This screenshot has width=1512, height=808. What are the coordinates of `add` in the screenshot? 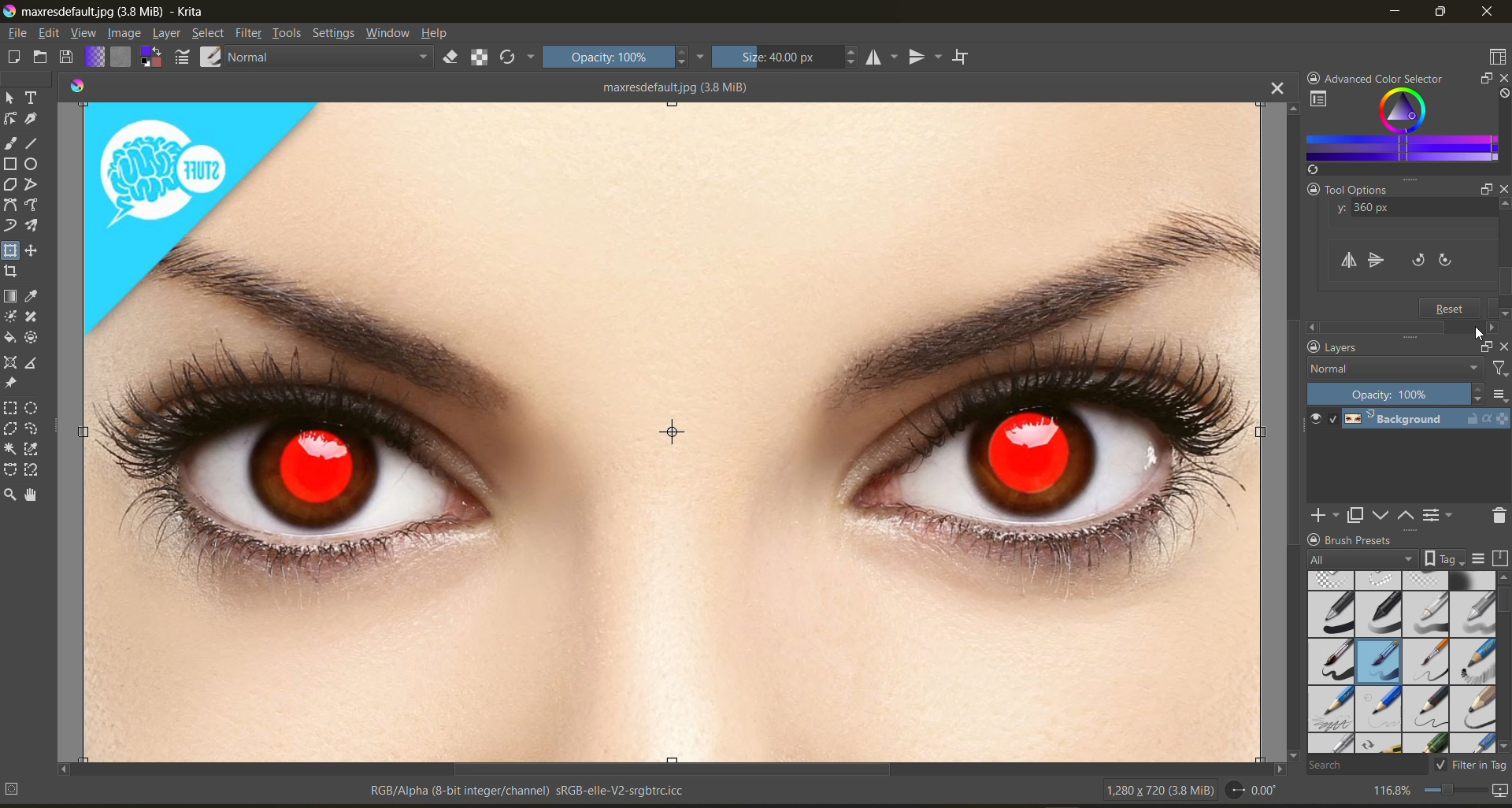 It's located at (1322, 515).